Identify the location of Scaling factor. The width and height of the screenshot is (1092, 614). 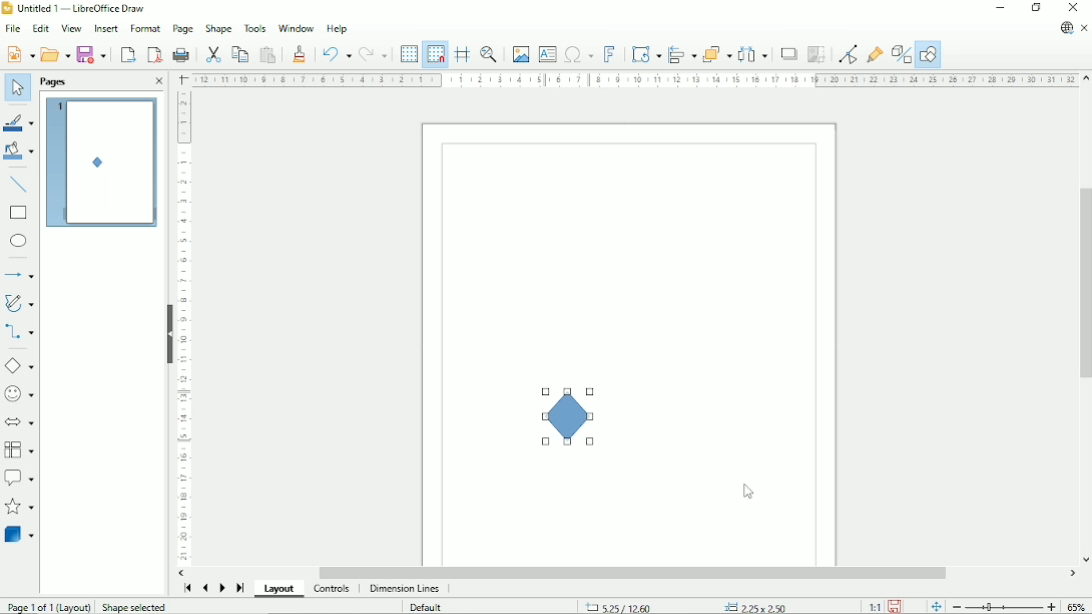
(874, 606).